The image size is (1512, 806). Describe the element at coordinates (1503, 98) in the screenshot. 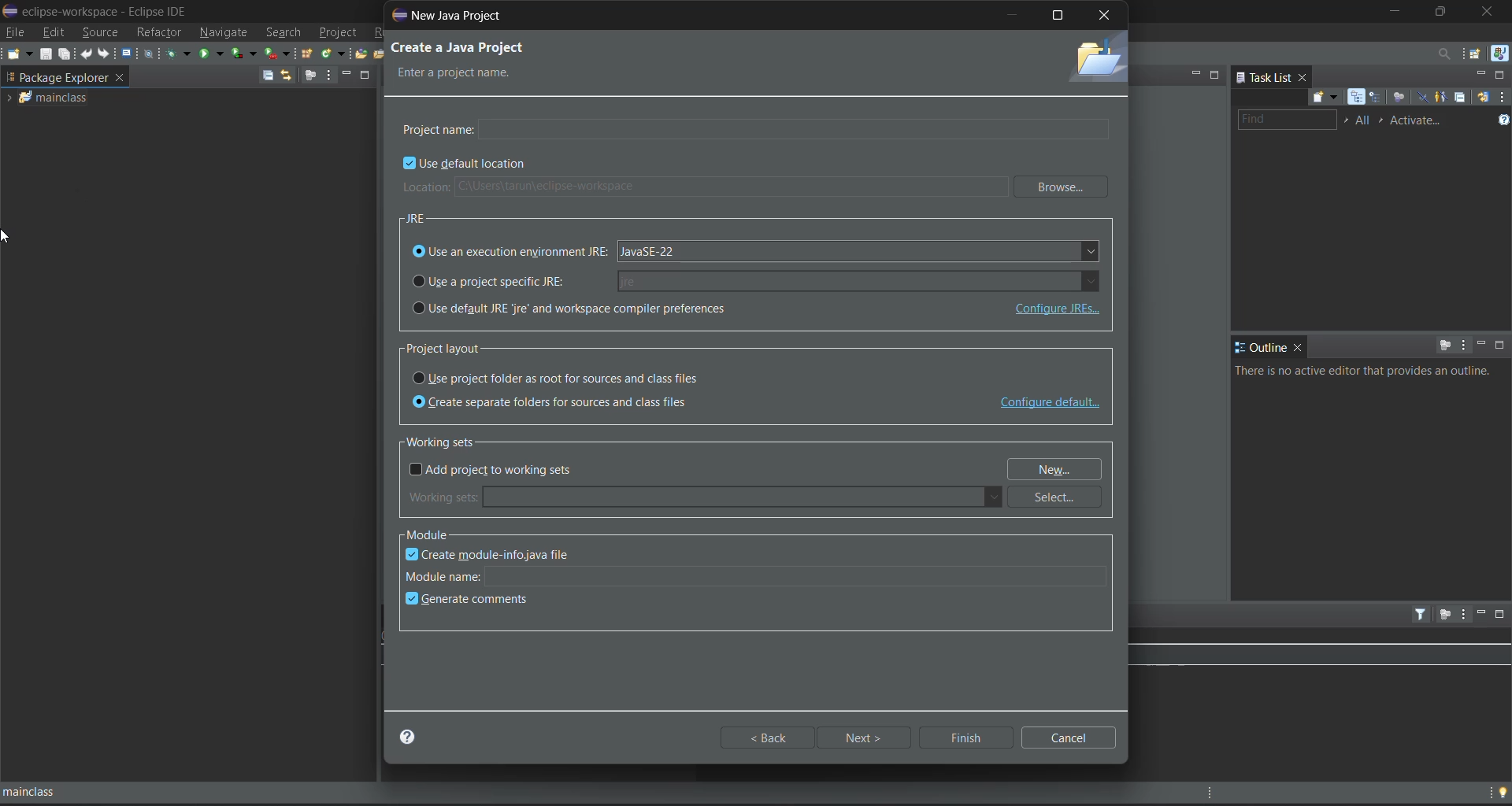

I see `view menu` at that location.